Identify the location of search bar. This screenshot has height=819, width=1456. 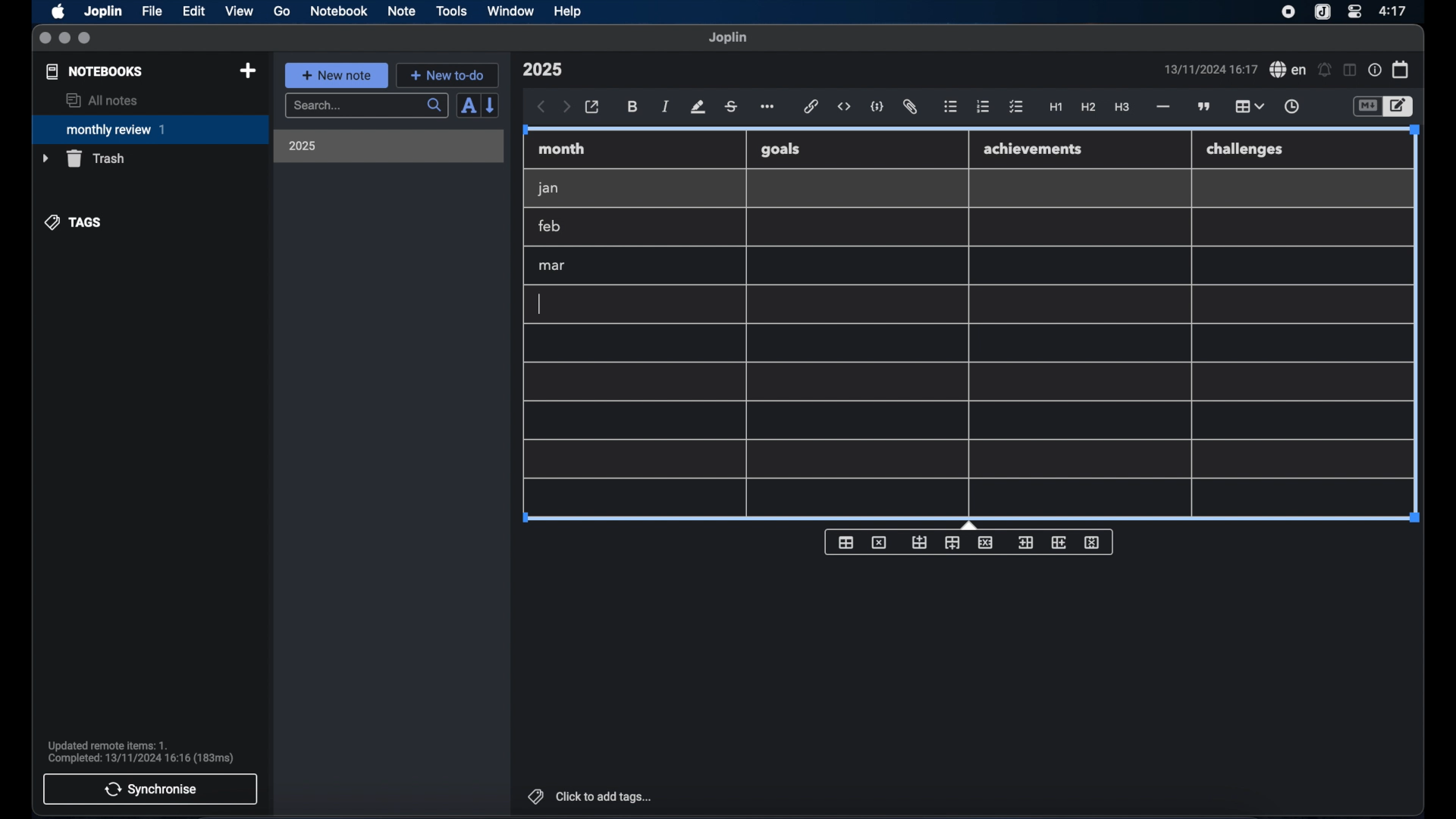
(366, 107).